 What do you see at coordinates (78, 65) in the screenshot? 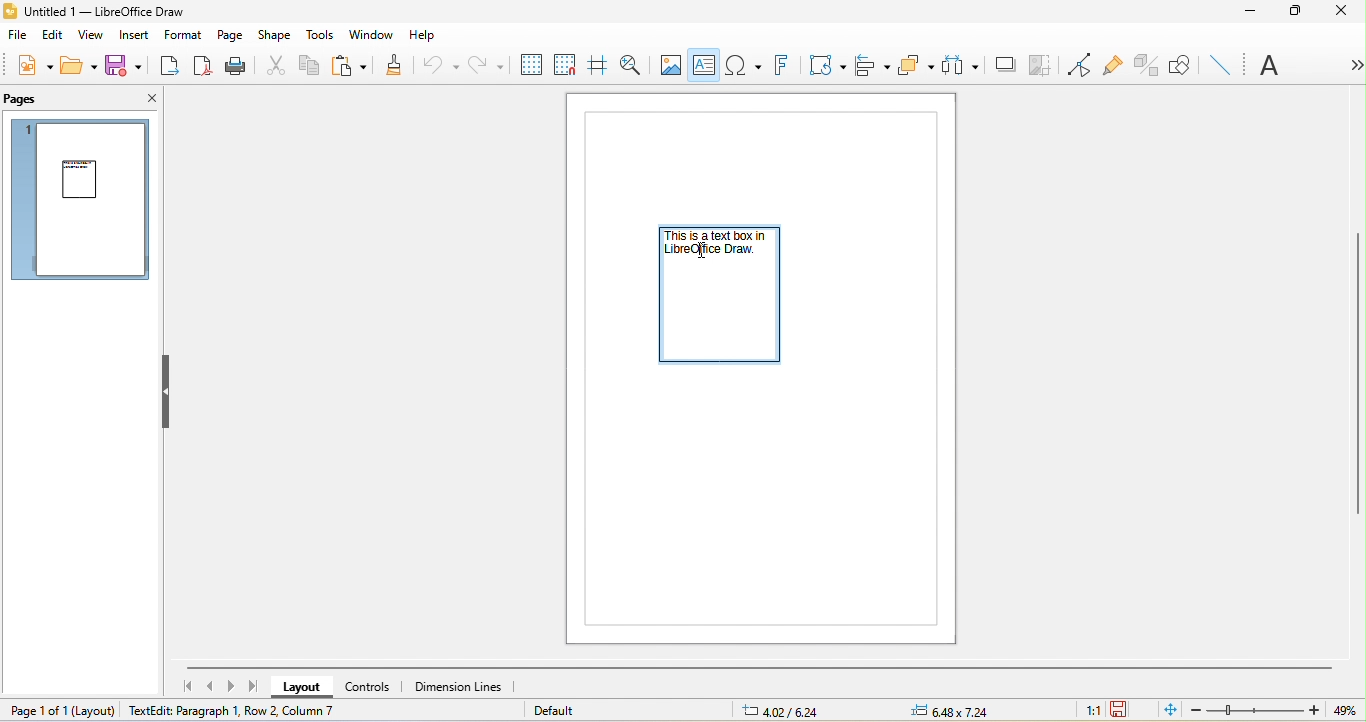
I see `open` at bounding box center [78, 65].